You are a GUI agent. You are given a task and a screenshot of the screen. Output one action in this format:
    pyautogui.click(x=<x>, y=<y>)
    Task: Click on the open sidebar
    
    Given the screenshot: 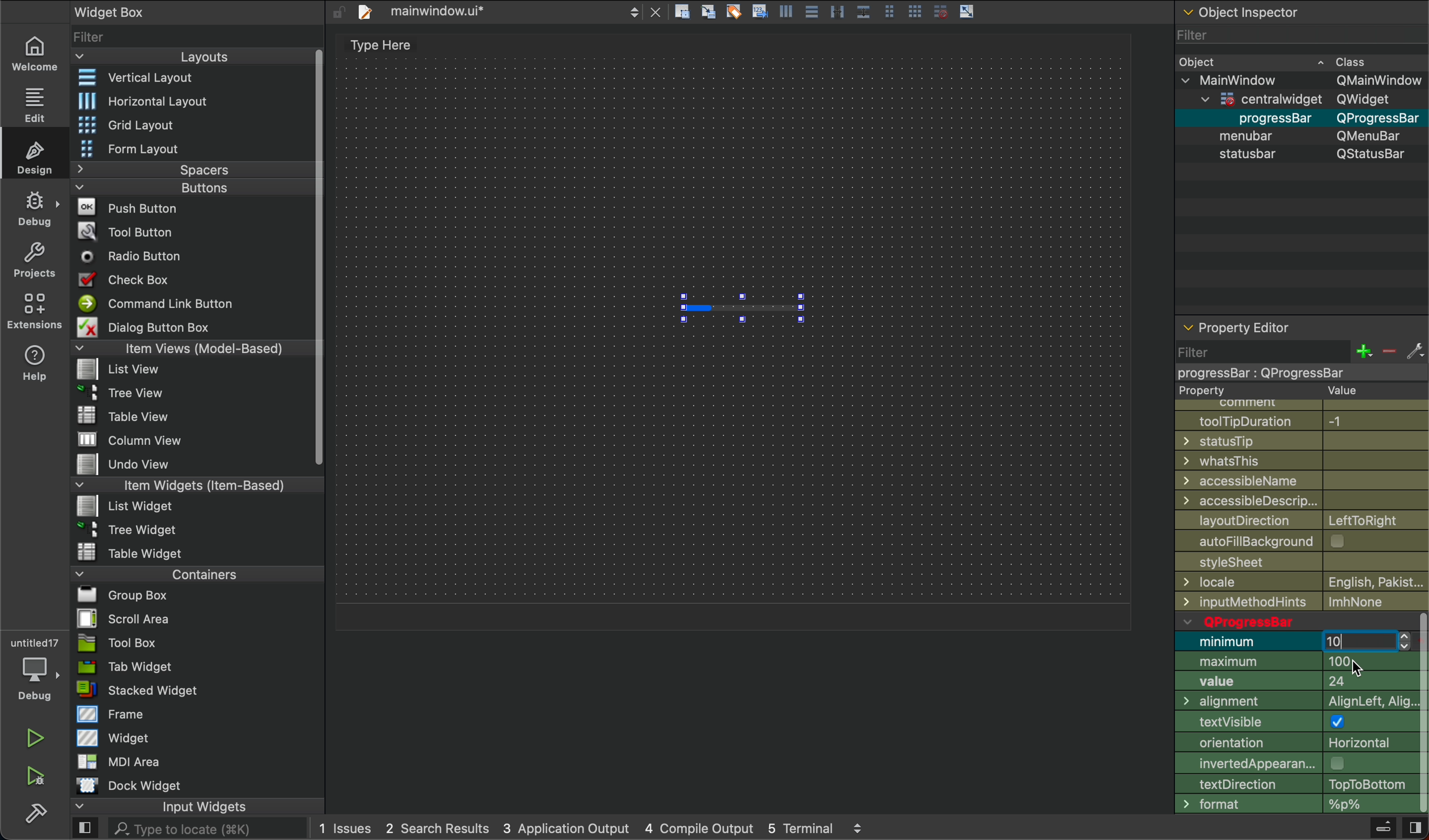 What is the action you would take?
    pyautogui.click(x=85, y=829)
    